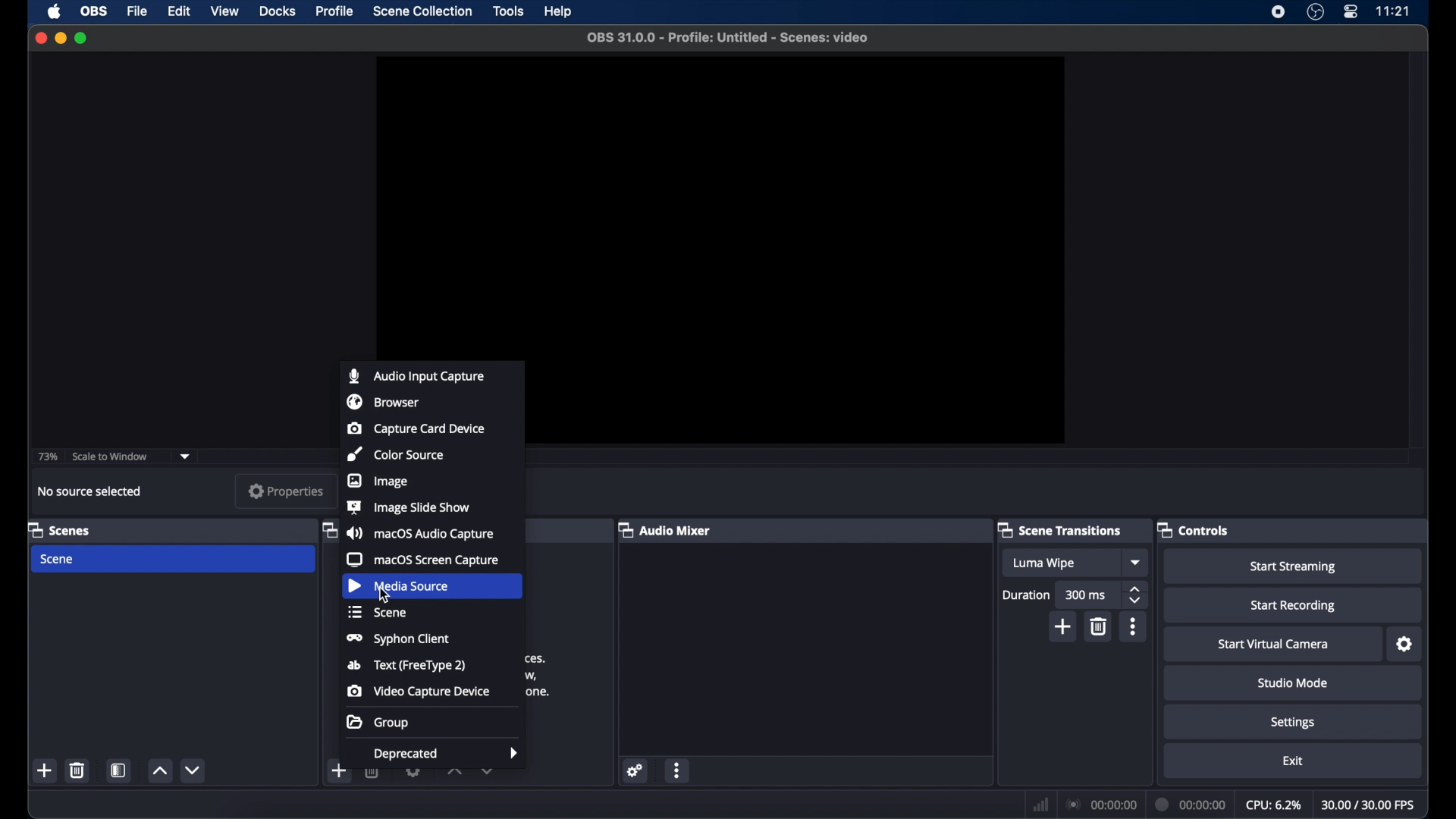 This screenshot has width=1456, height=819. Describe the element at coordinates (1137, 563) in the screenshot. I see `dropdown` at that location.